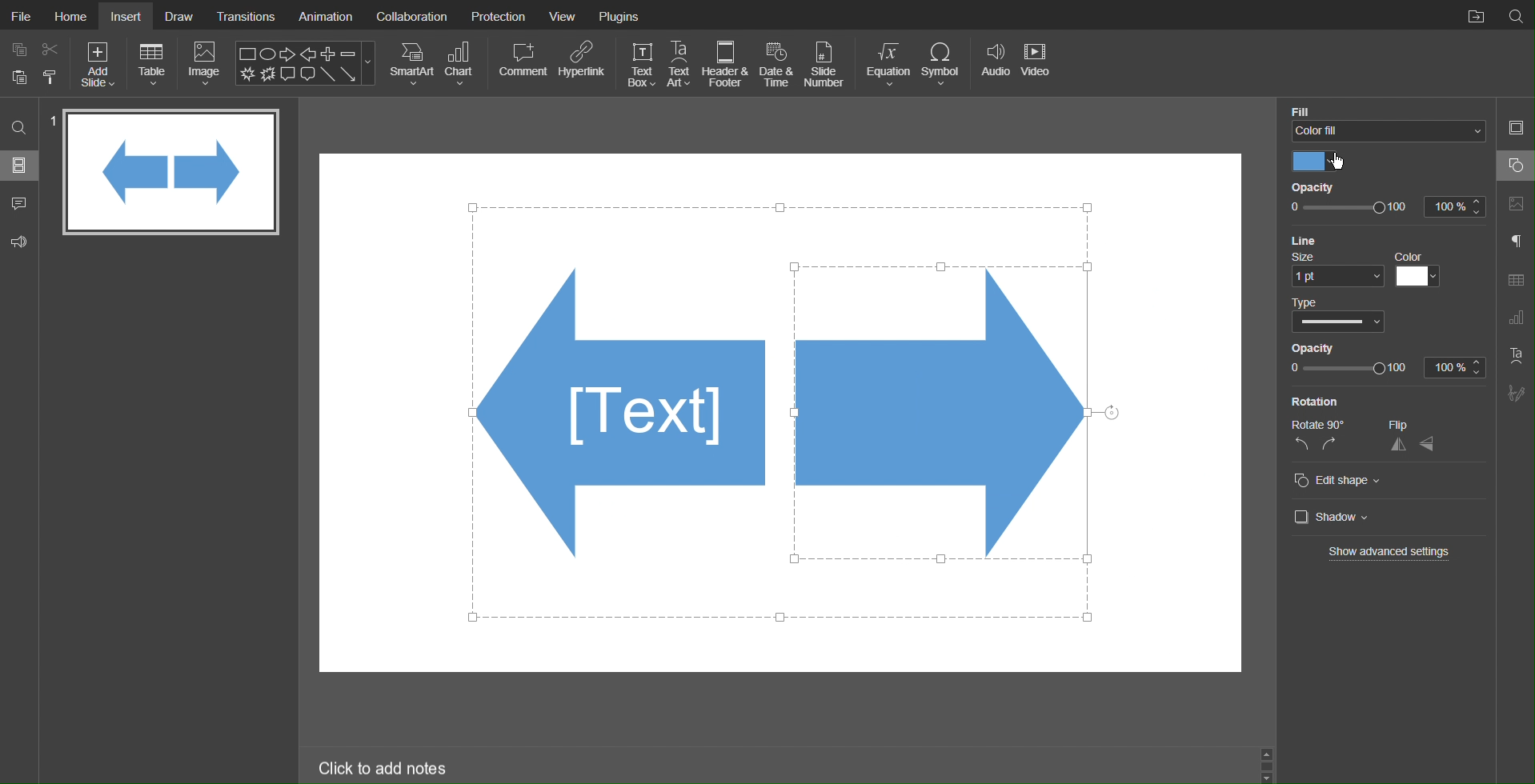  What do you see at coordinates (680, 63) in the screenshot?
I see `Text Art` at bounding box center [680, 63].